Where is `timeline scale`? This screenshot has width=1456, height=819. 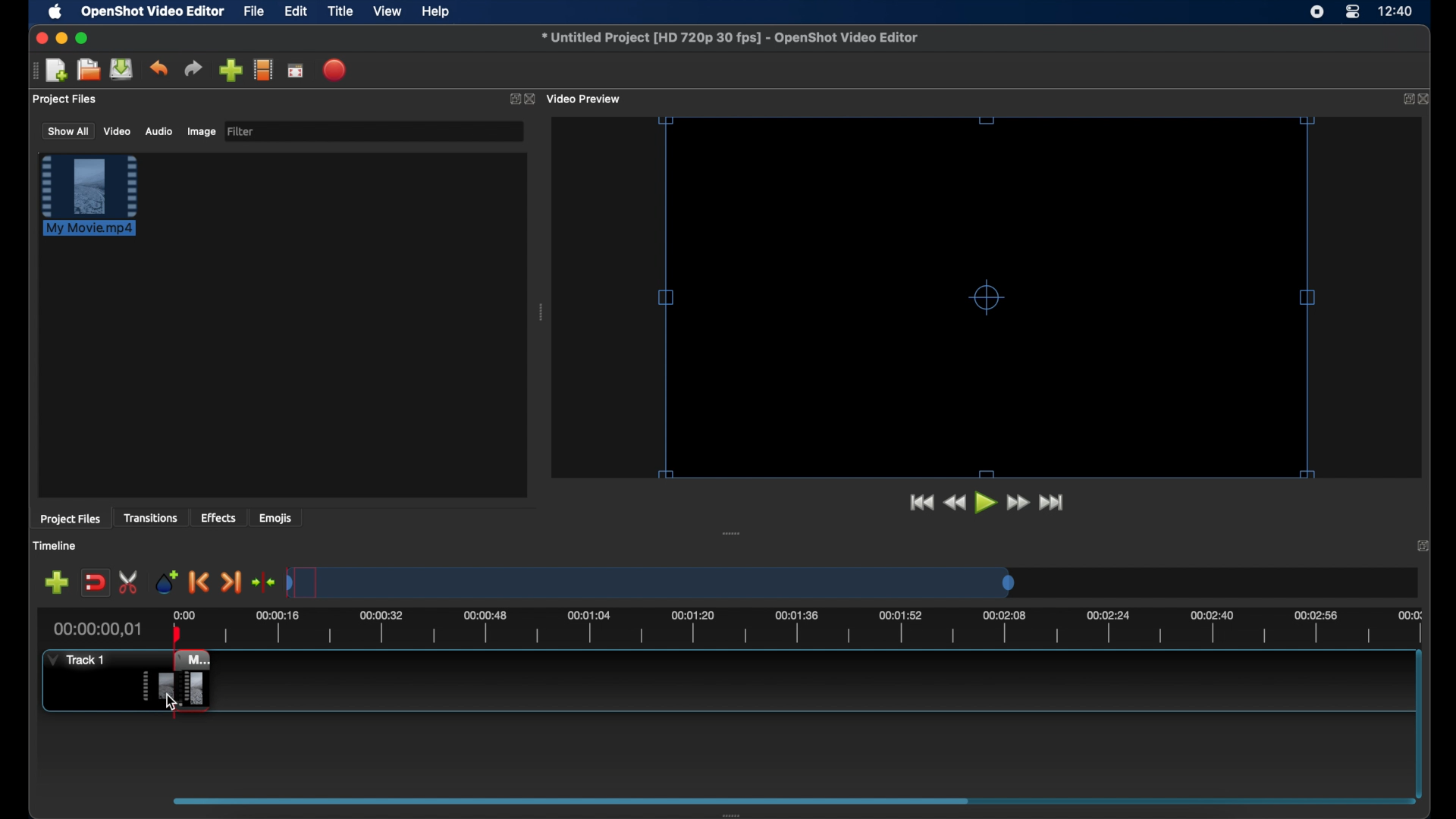
timeline scale is located at coordinates (652, 584).